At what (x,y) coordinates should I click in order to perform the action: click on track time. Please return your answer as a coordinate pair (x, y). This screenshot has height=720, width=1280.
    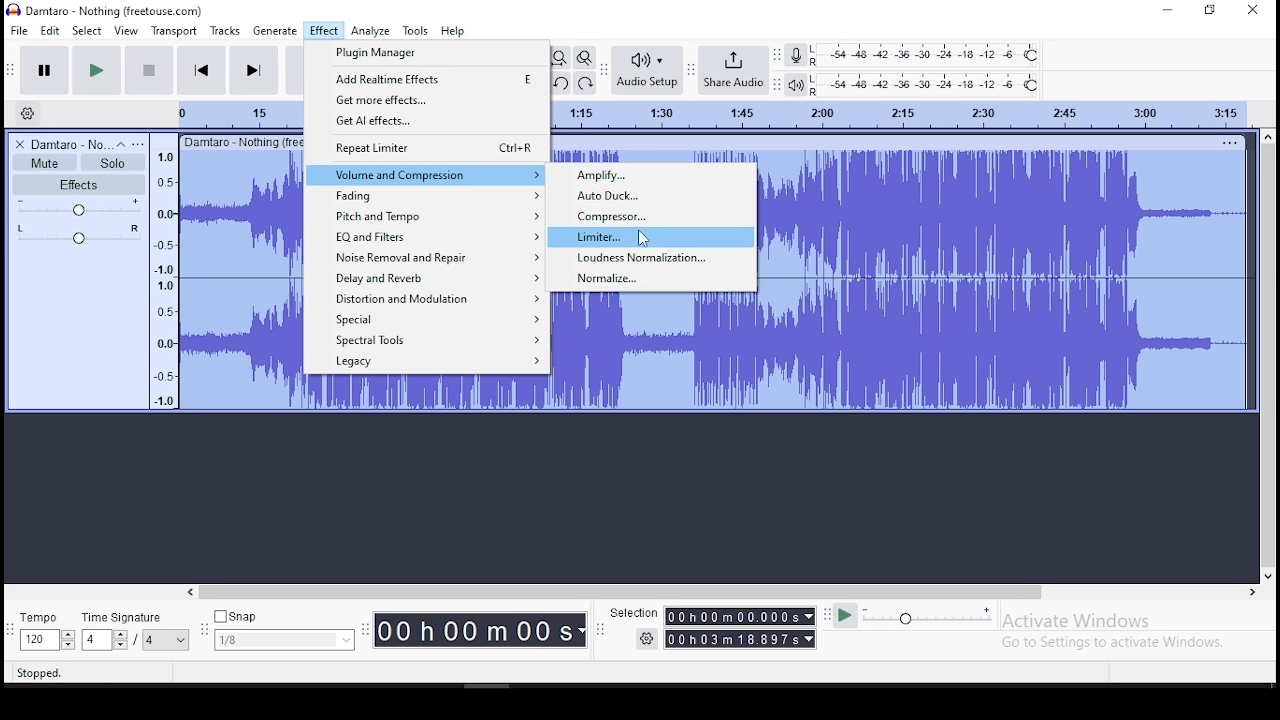
    Looking at the image, I should click on (900, 114).